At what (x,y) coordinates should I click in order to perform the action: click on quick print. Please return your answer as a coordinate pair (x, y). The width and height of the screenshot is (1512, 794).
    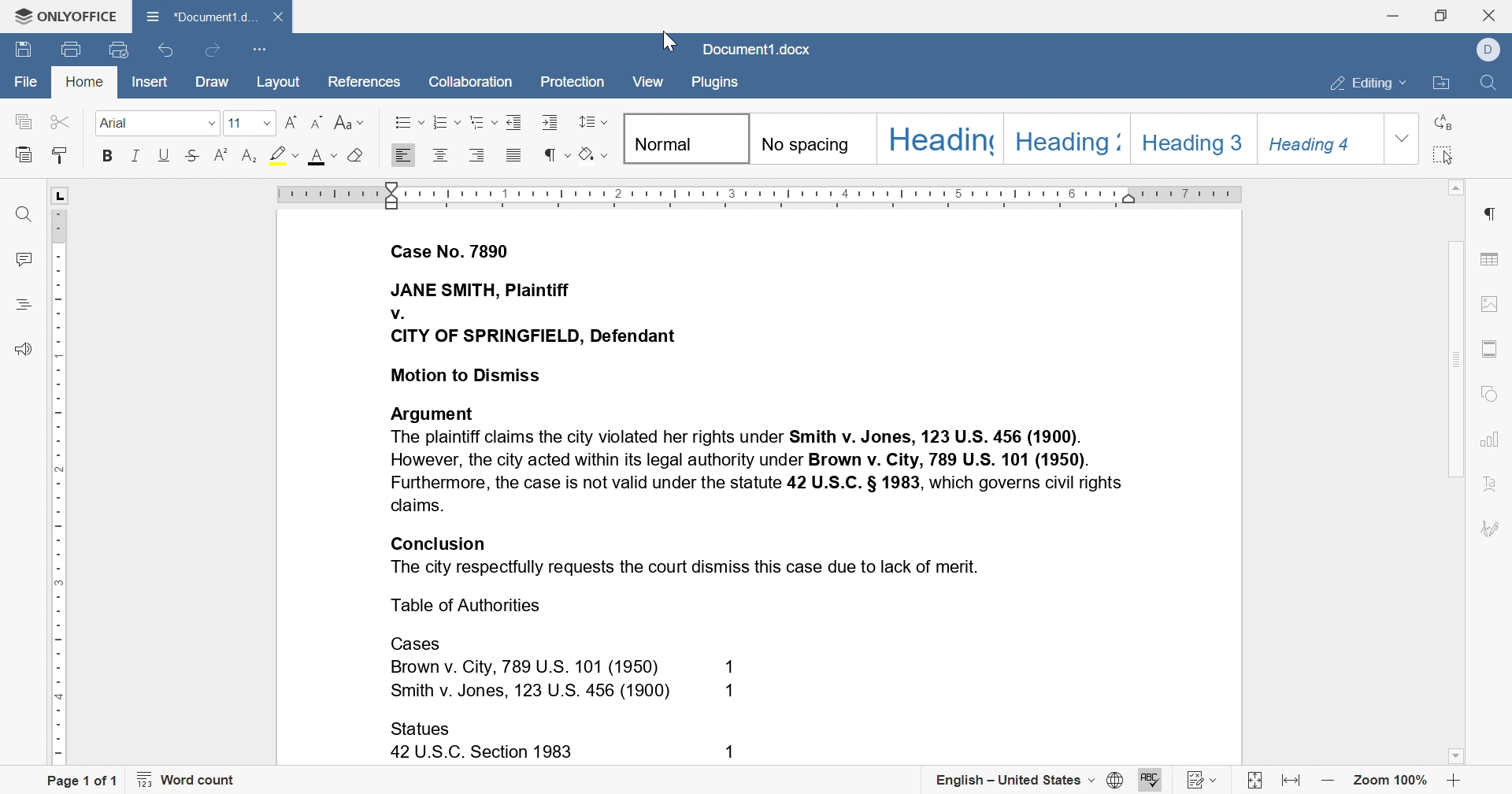
    Looking at the image, I should click on (118, 51).